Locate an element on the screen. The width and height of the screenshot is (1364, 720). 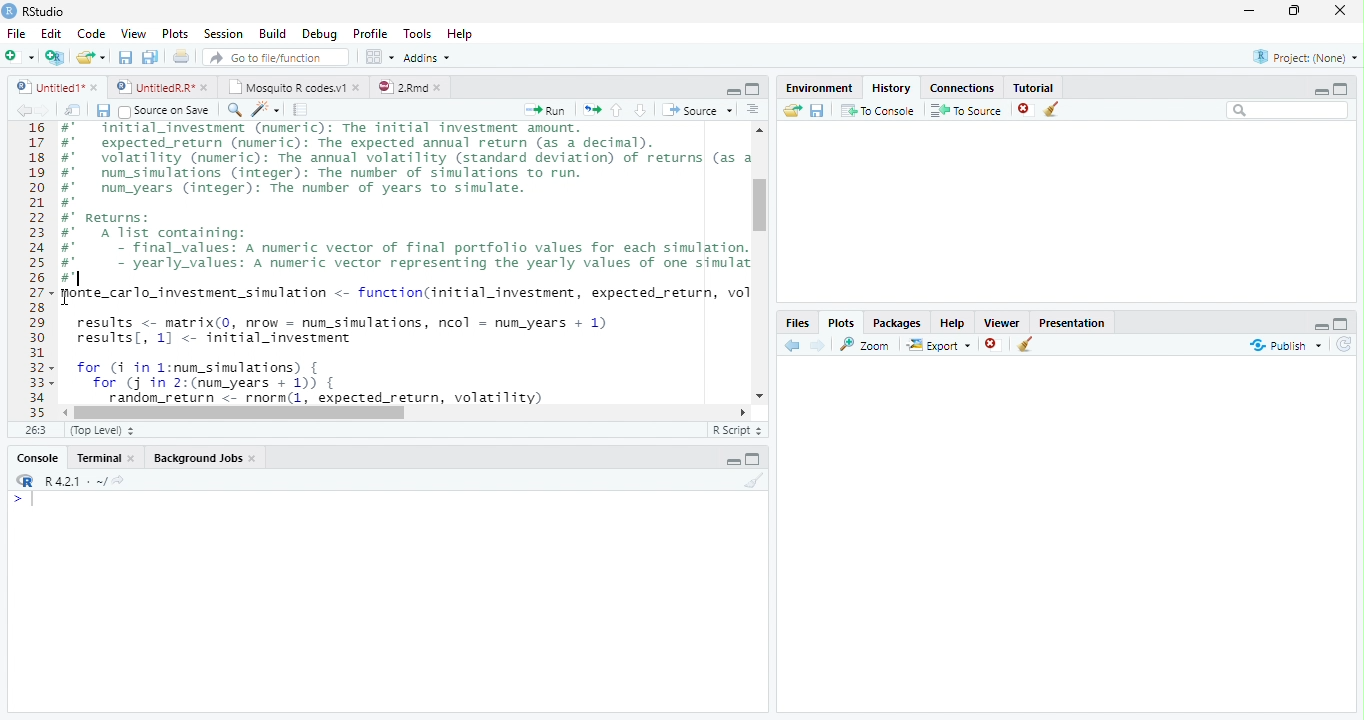
styedi® © © Untite is located at coordinates (162, 87).